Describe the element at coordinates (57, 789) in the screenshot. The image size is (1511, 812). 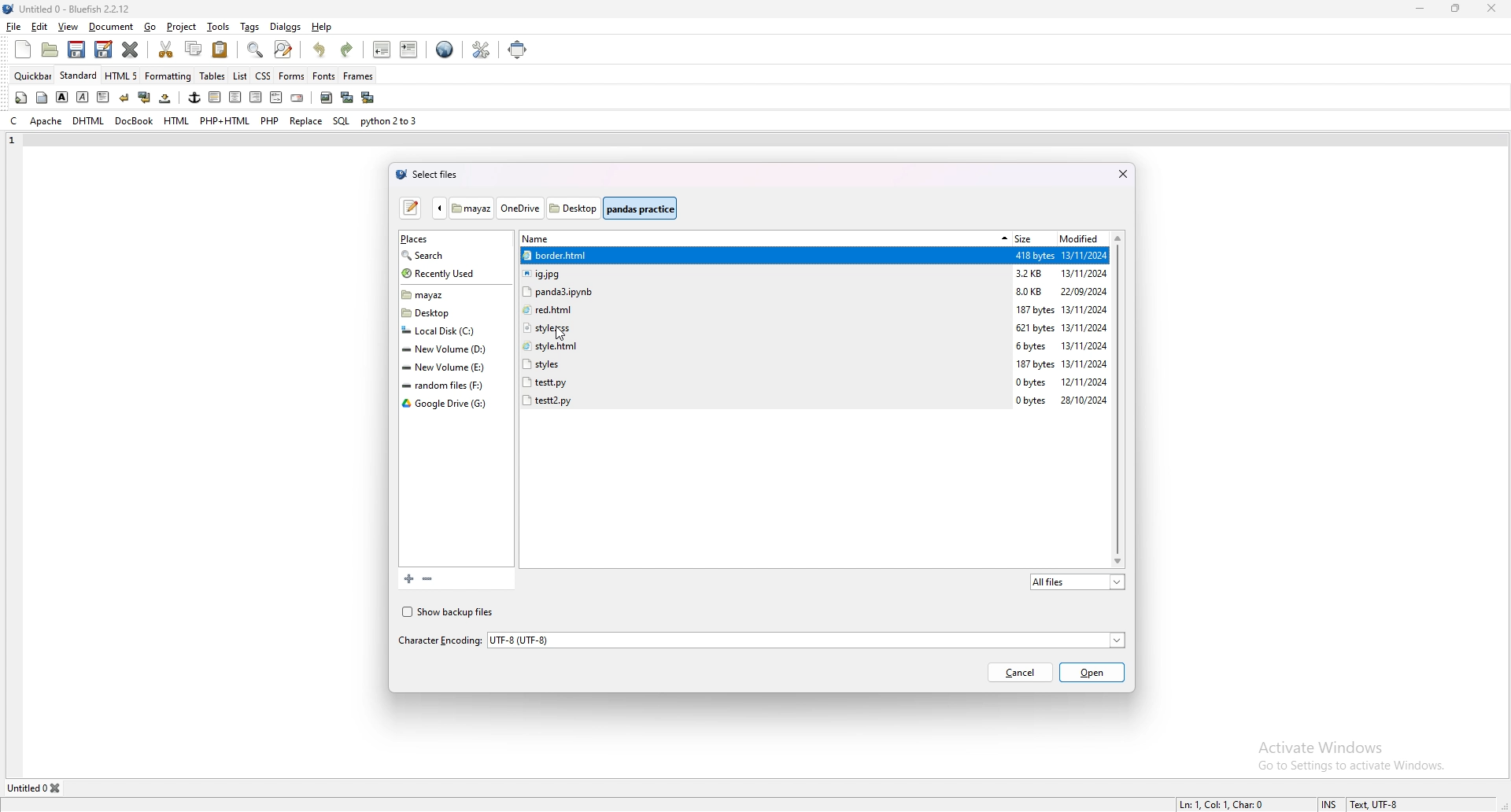
I see `close tab` at that location.